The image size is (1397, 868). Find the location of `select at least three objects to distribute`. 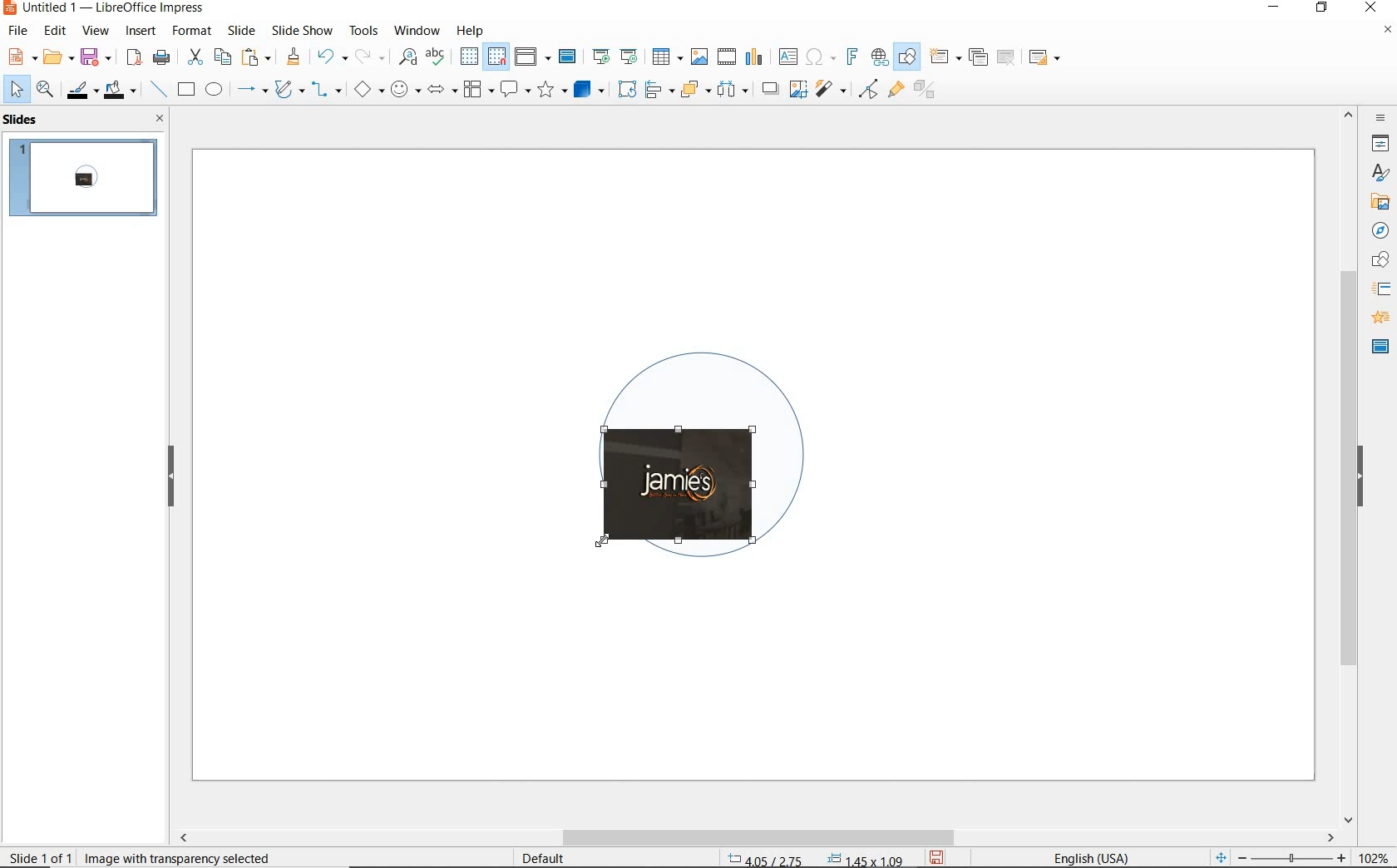

select at least three objects to distribute is located at coordinates (733, 90).